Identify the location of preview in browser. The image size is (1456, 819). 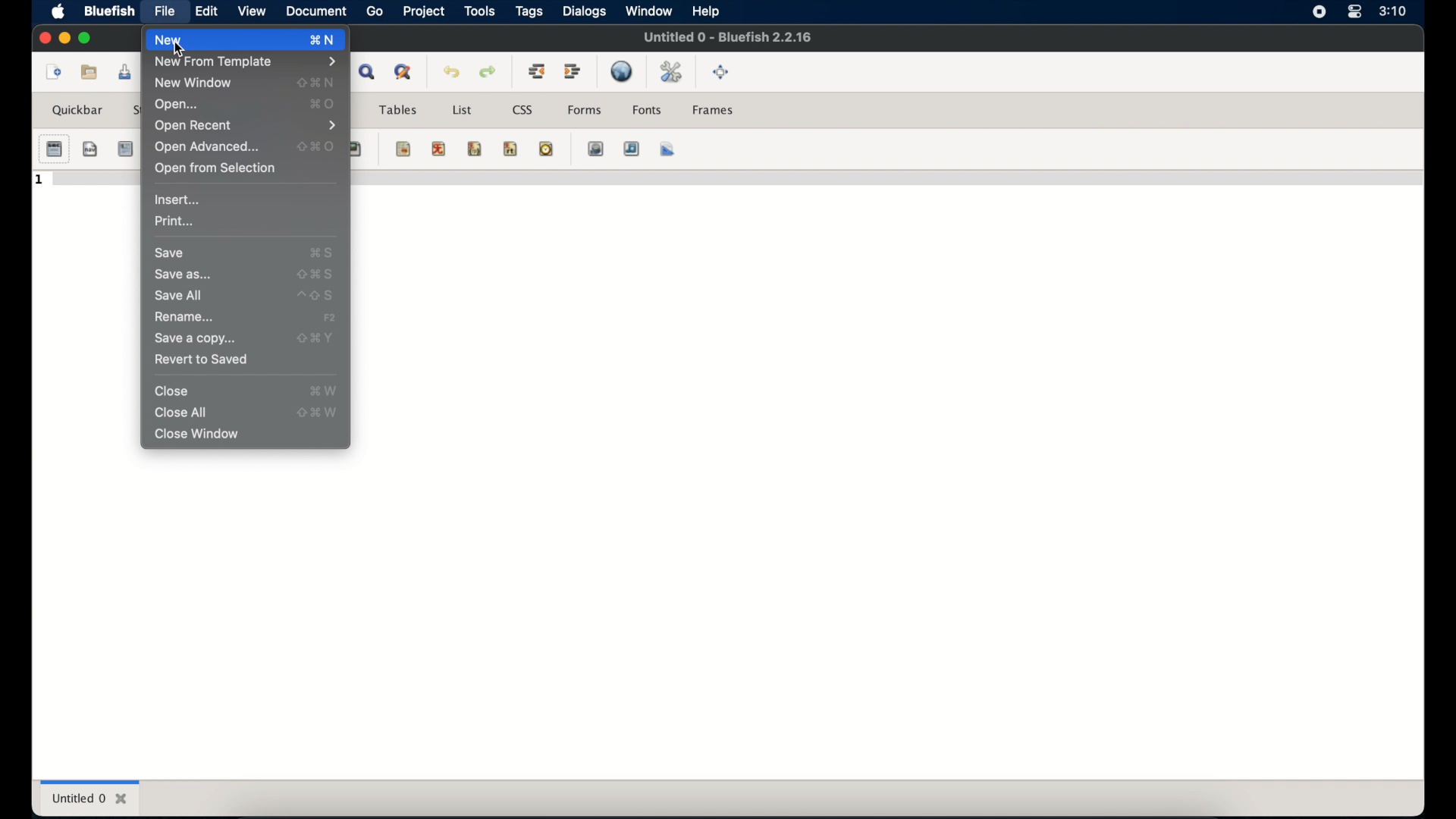
(623, 71).